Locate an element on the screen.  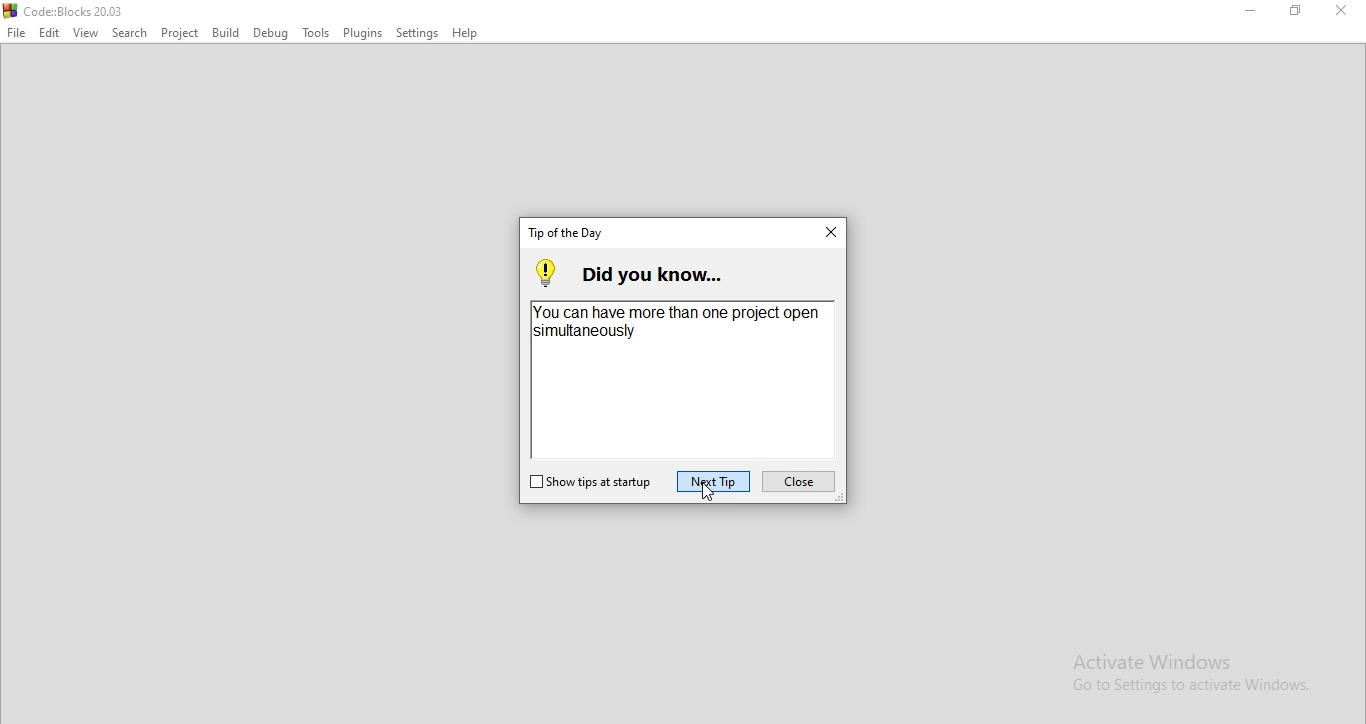
Edit  is located at coordinates (49, 34).